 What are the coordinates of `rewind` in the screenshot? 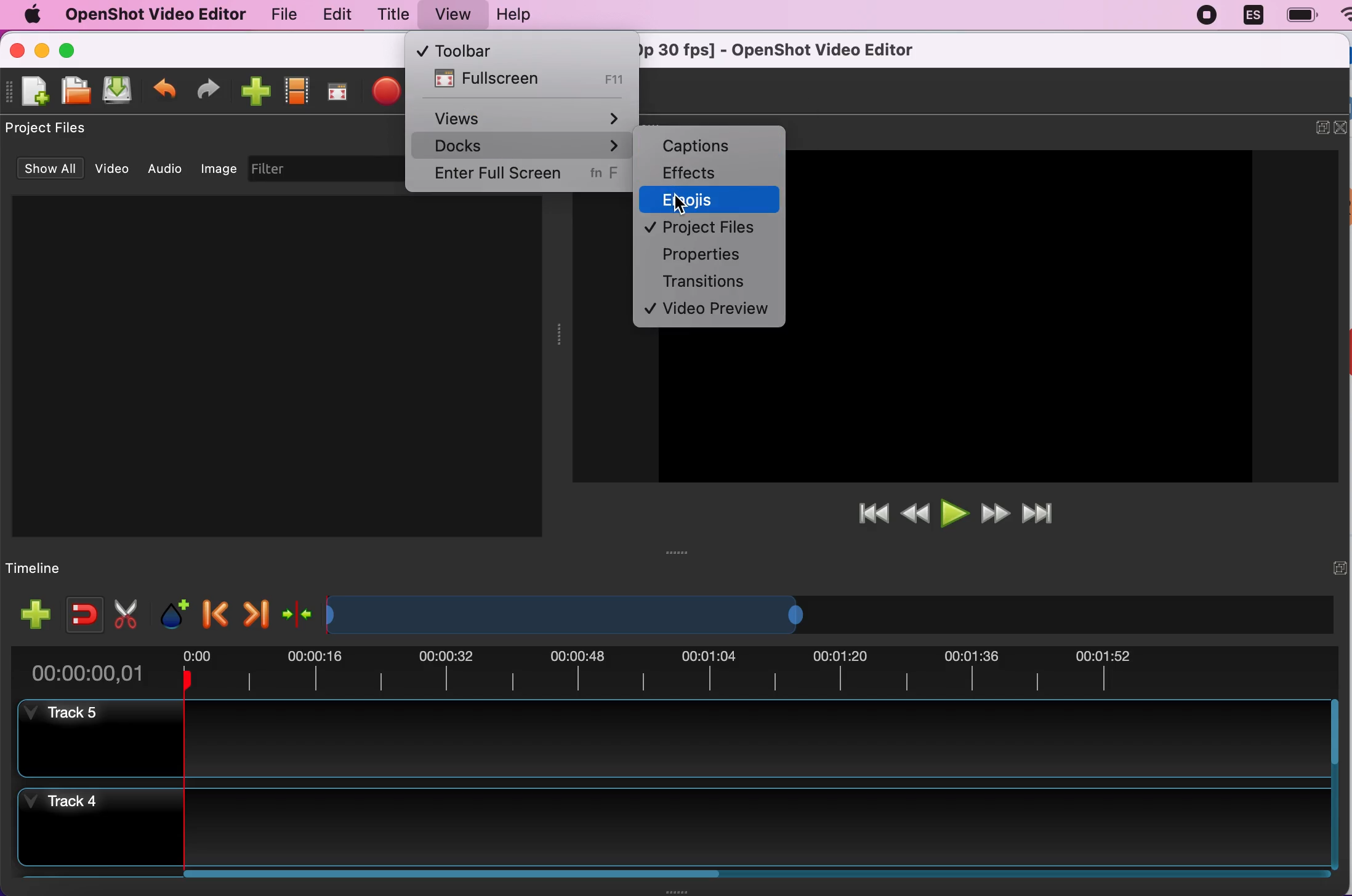 It's located at (915, 514).